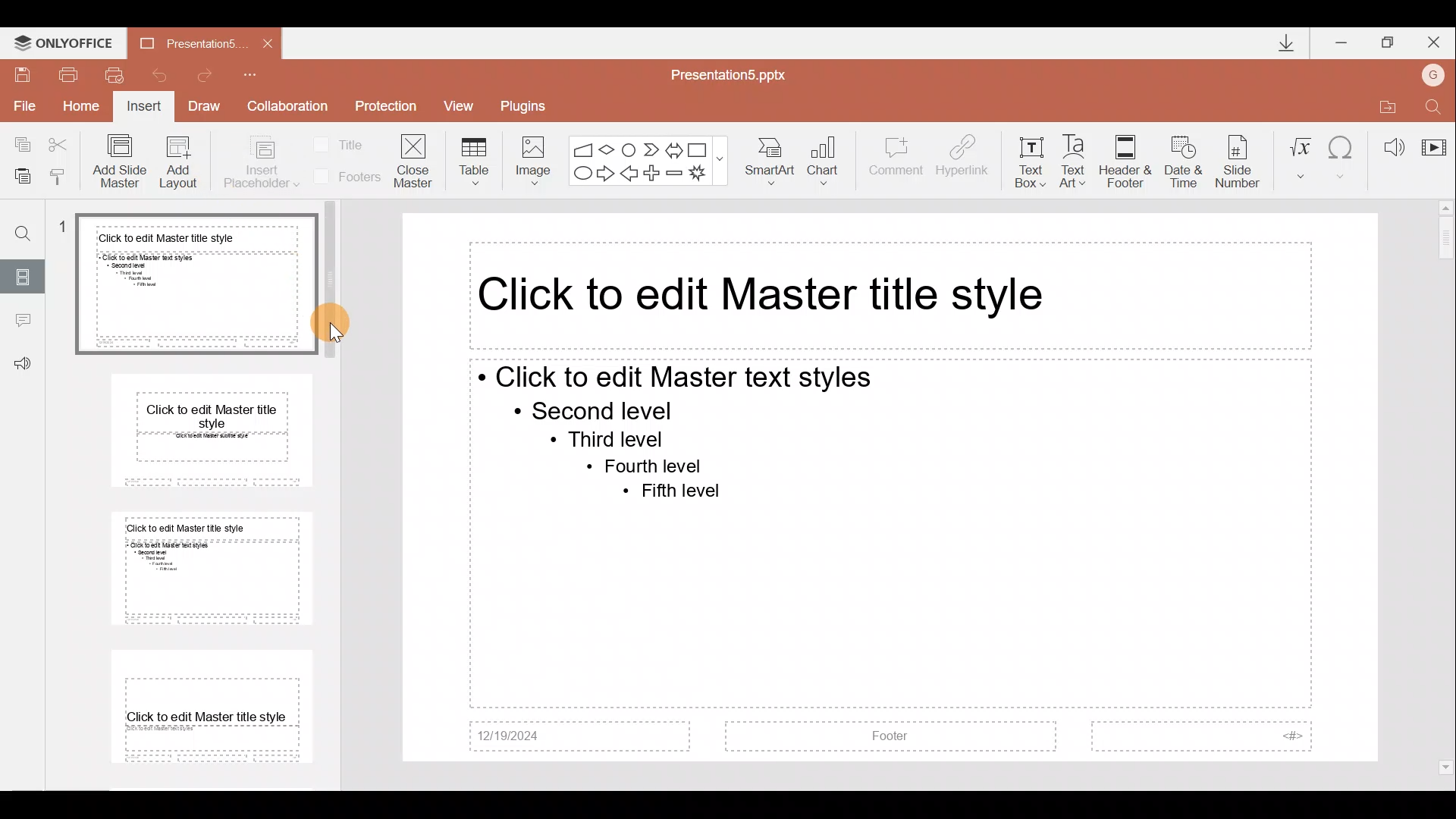 This screenshot has width=1456, height=819. Describe the element at coordinates (340, 485) in the screenshot. I see `Scroll bar` at that location.